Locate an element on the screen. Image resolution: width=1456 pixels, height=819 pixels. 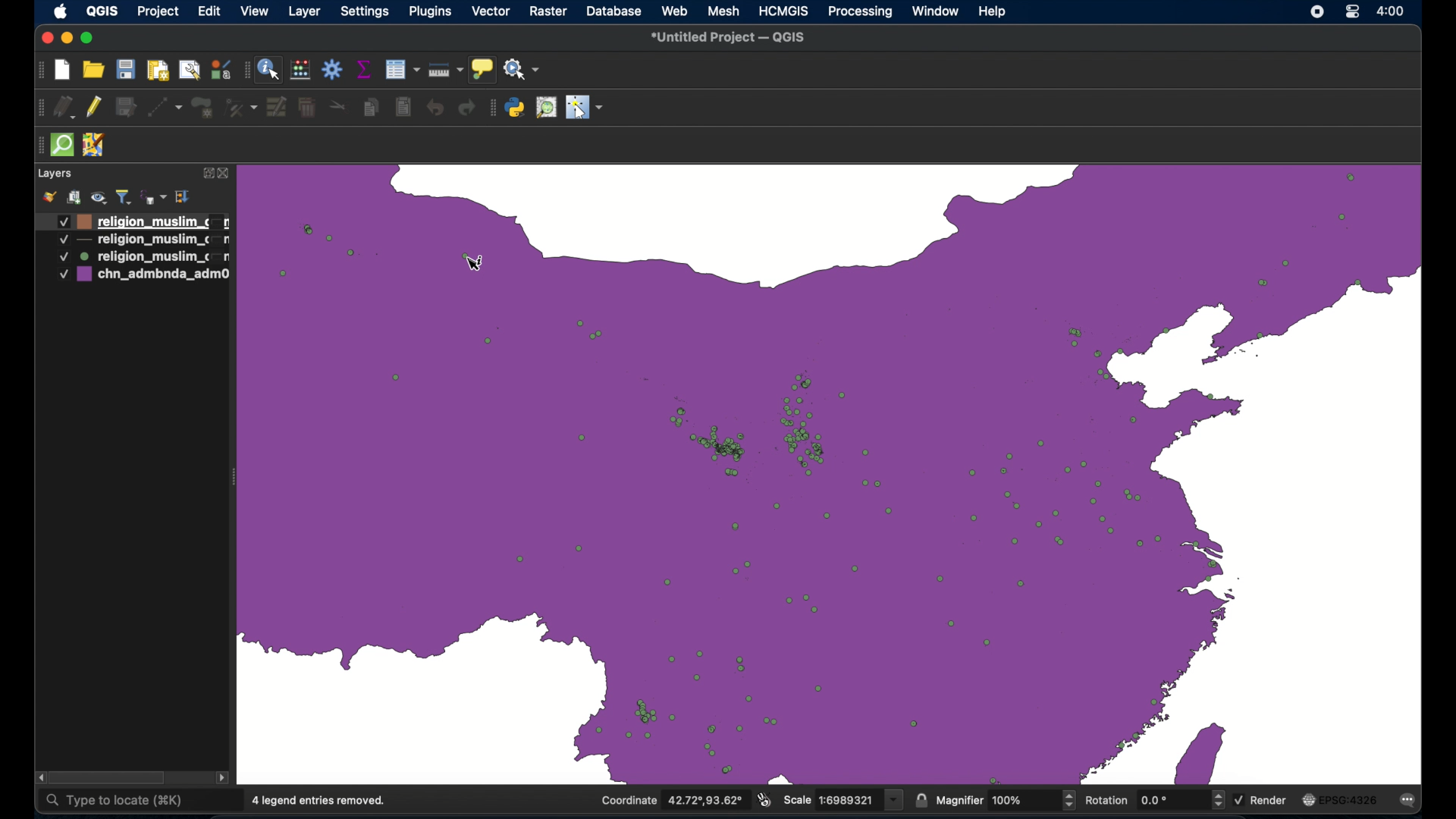
undo is located at coordinates (438, 110).